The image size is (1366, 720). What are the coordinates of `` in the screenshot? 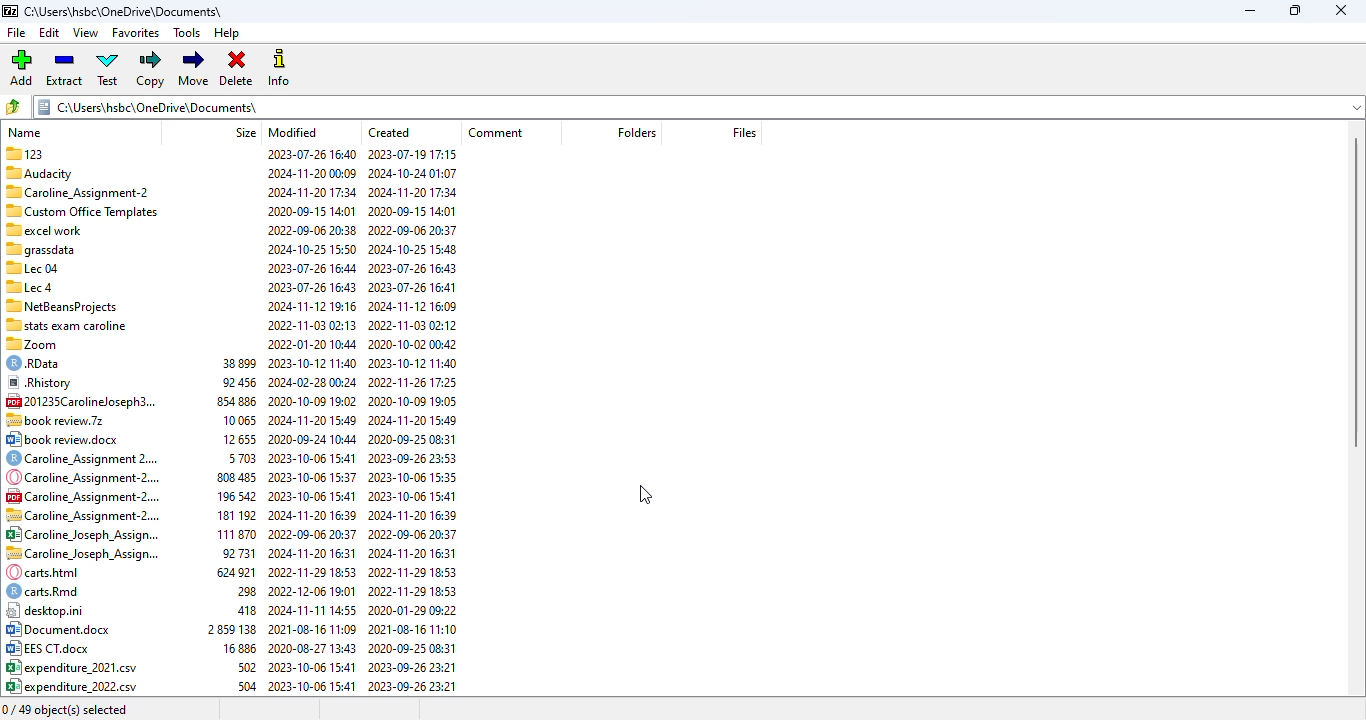 It's located at (1341, 11).